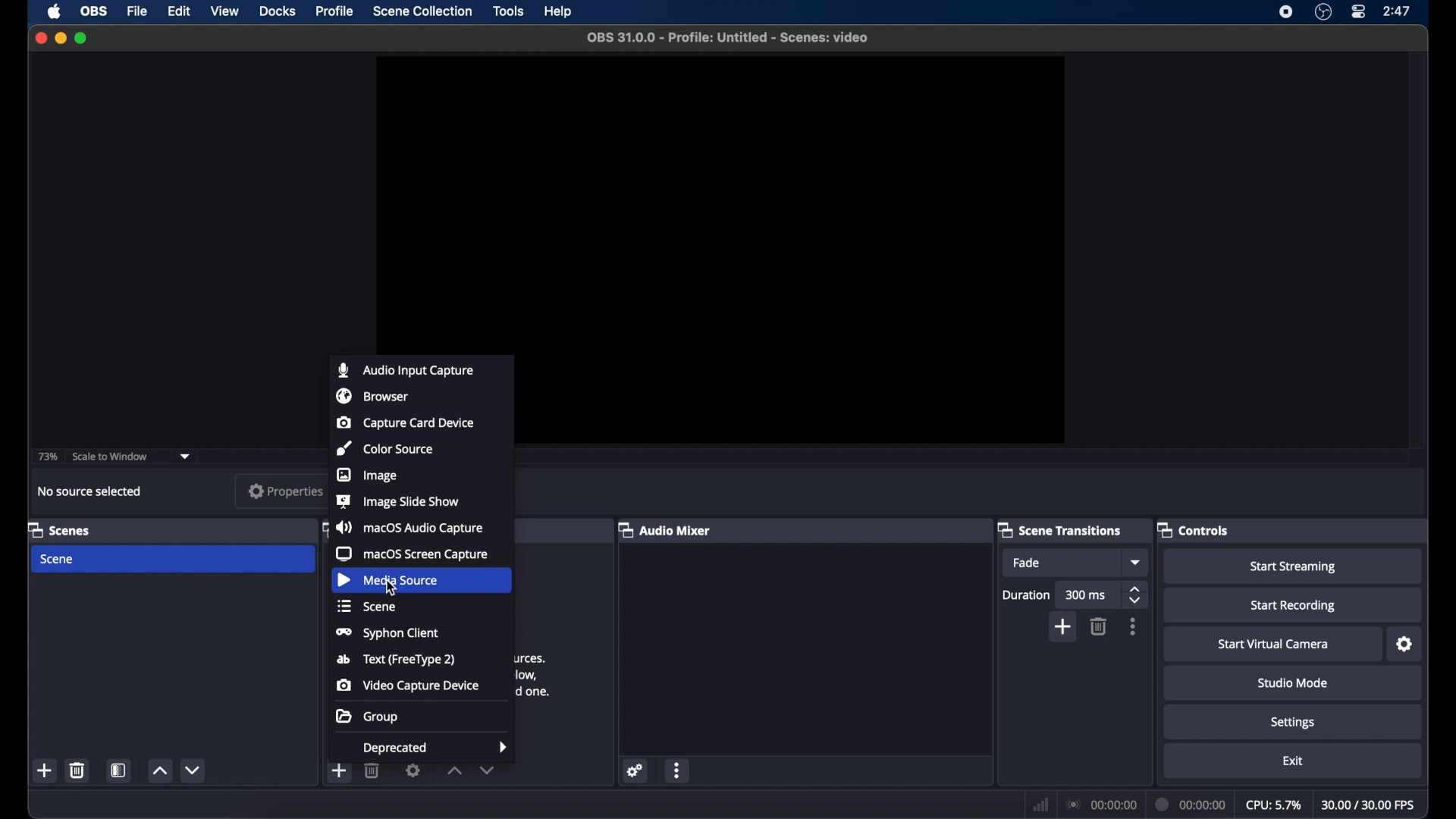 This screenshot has width=1456, height=819. What do you see at coordinates (728, 38) in the screenshot?
I see `file name` at bounding box center [728, 38].